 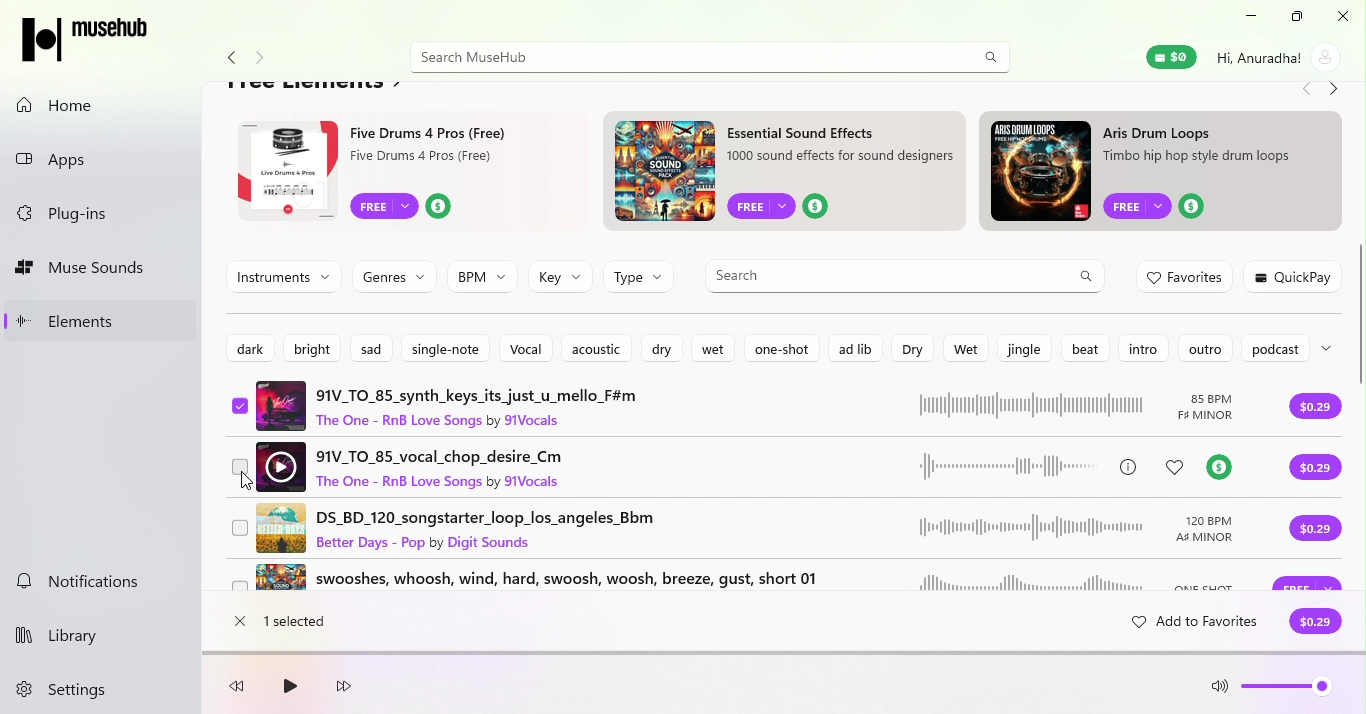 I want to click on Fast forward, so click(x=344, y=688).